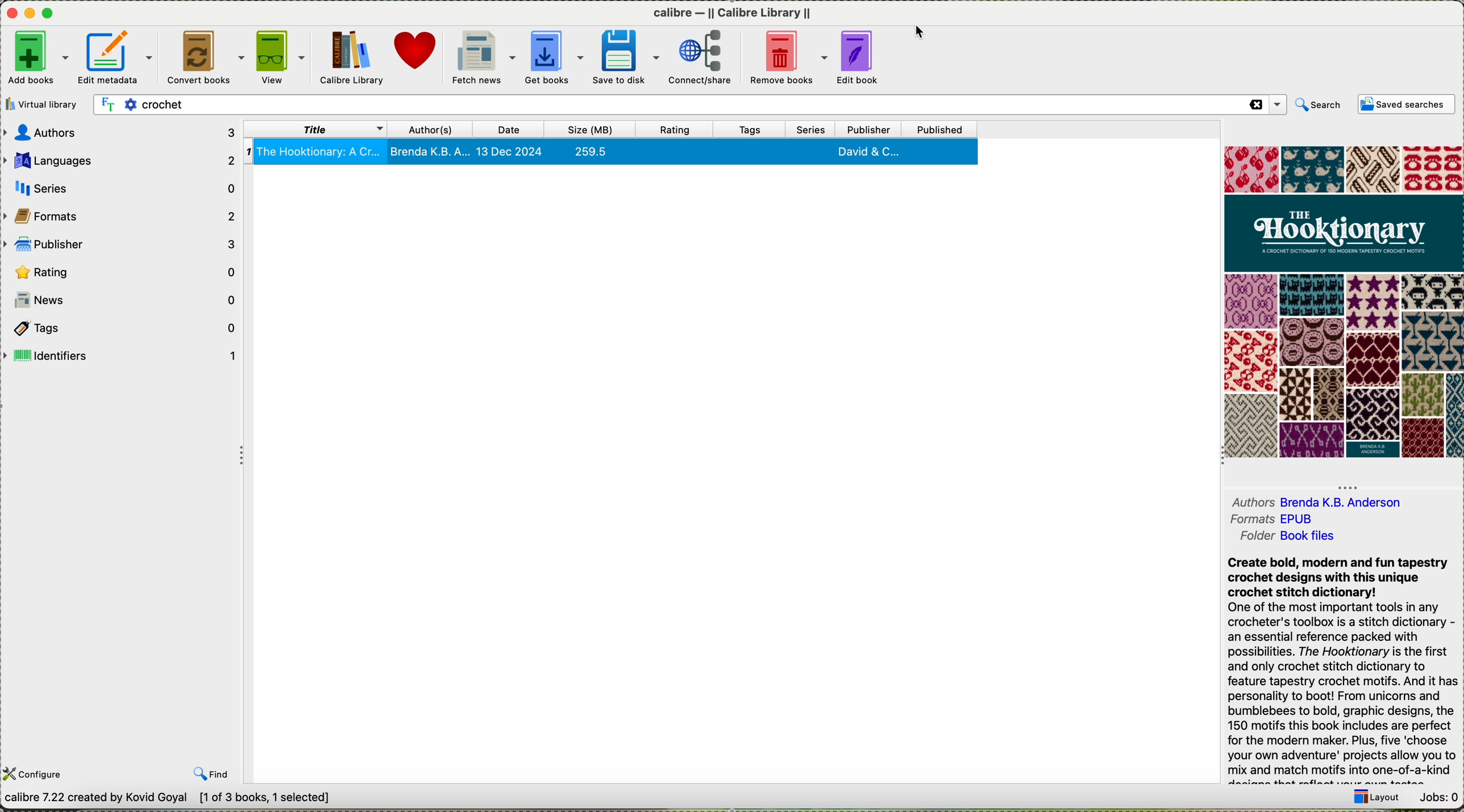 The width and height of the screenshot is (1464, 812). Describe the element at coordinates (32, 14) in the screenshot. I see `minimize` at that location.